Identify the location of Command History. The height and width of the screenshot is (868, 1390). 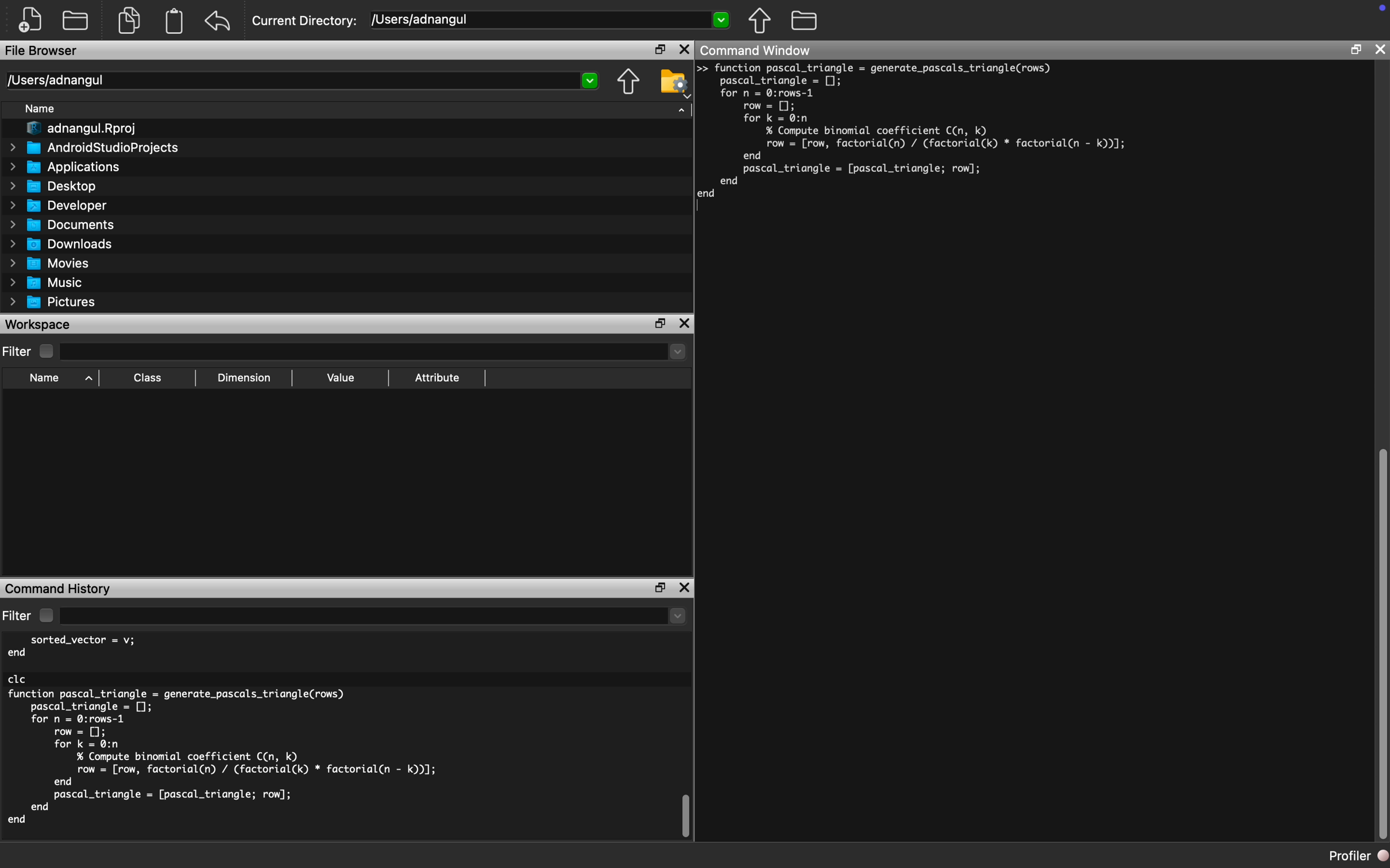
(60, 588).